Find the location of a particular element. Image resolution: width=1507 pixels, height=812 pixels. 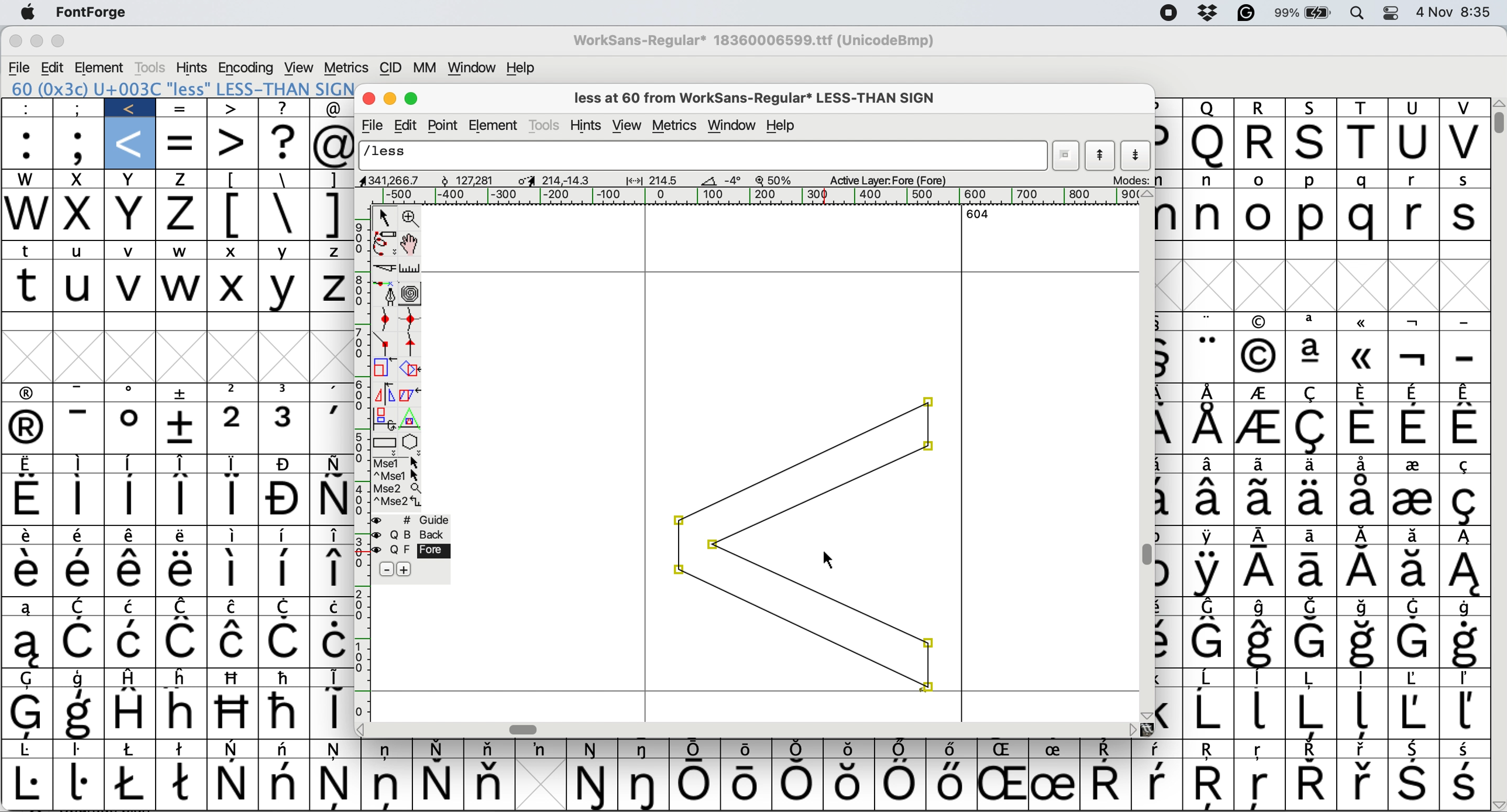

Symbol is located at coordinates (338, 785).